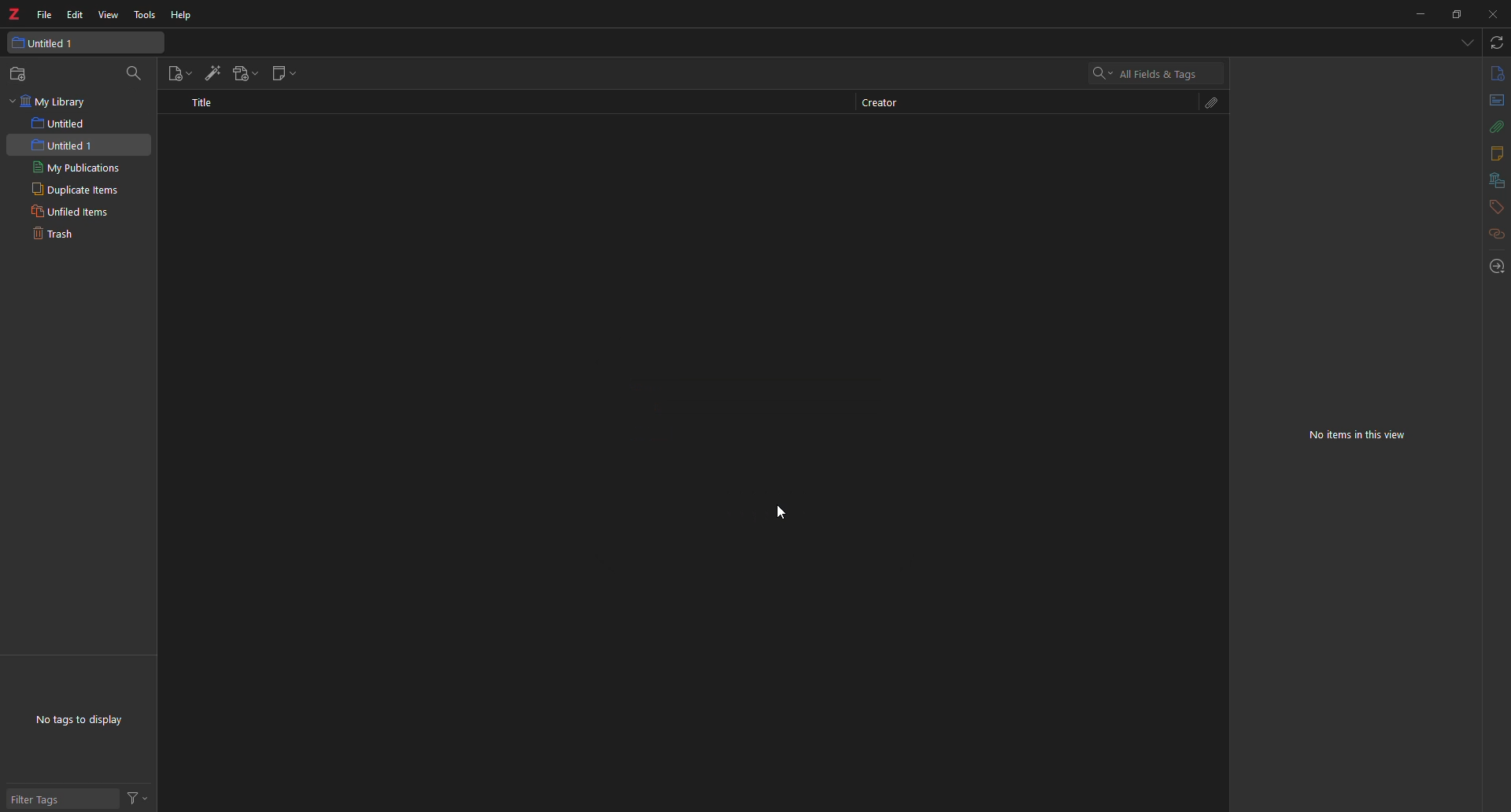 The height and width of the screenshot is (812, 1511). I want to click on No items in this view, so click(1362, 436).